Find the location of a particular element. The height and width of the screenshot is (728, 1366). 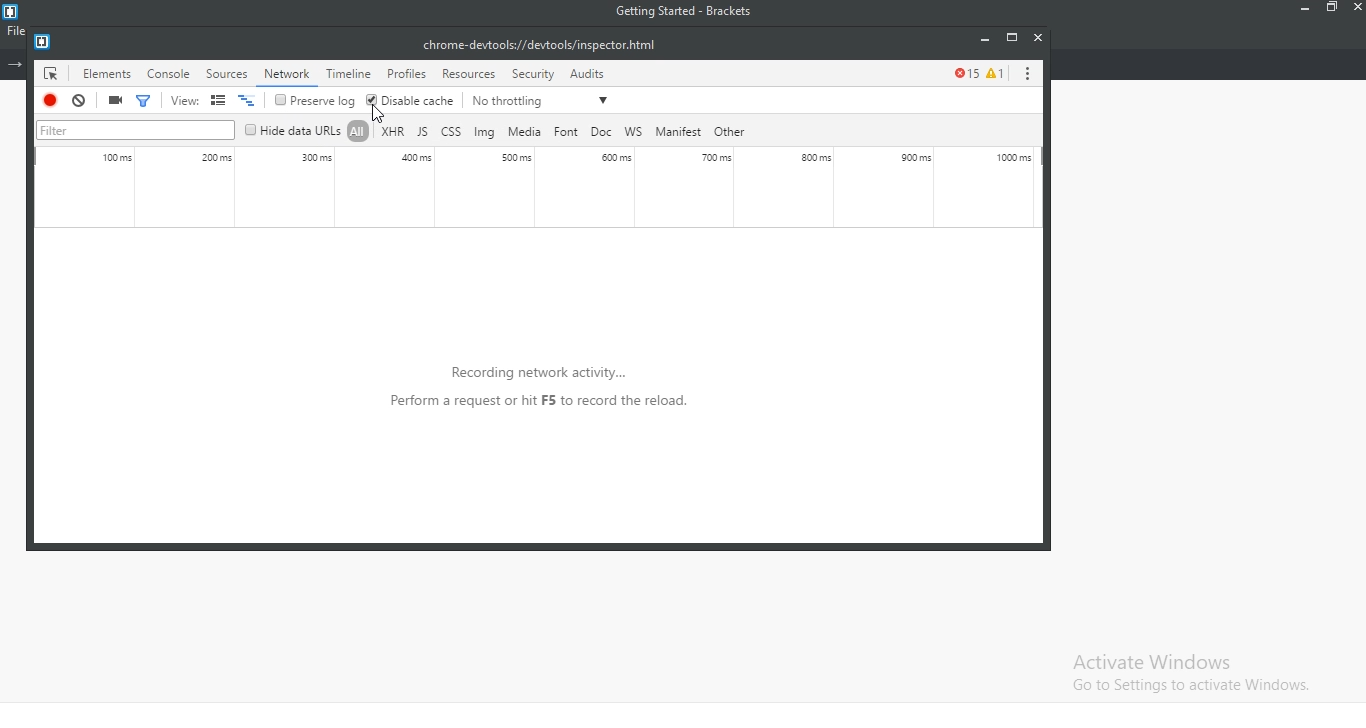

recording network activity is located at coordinates (520, 408).